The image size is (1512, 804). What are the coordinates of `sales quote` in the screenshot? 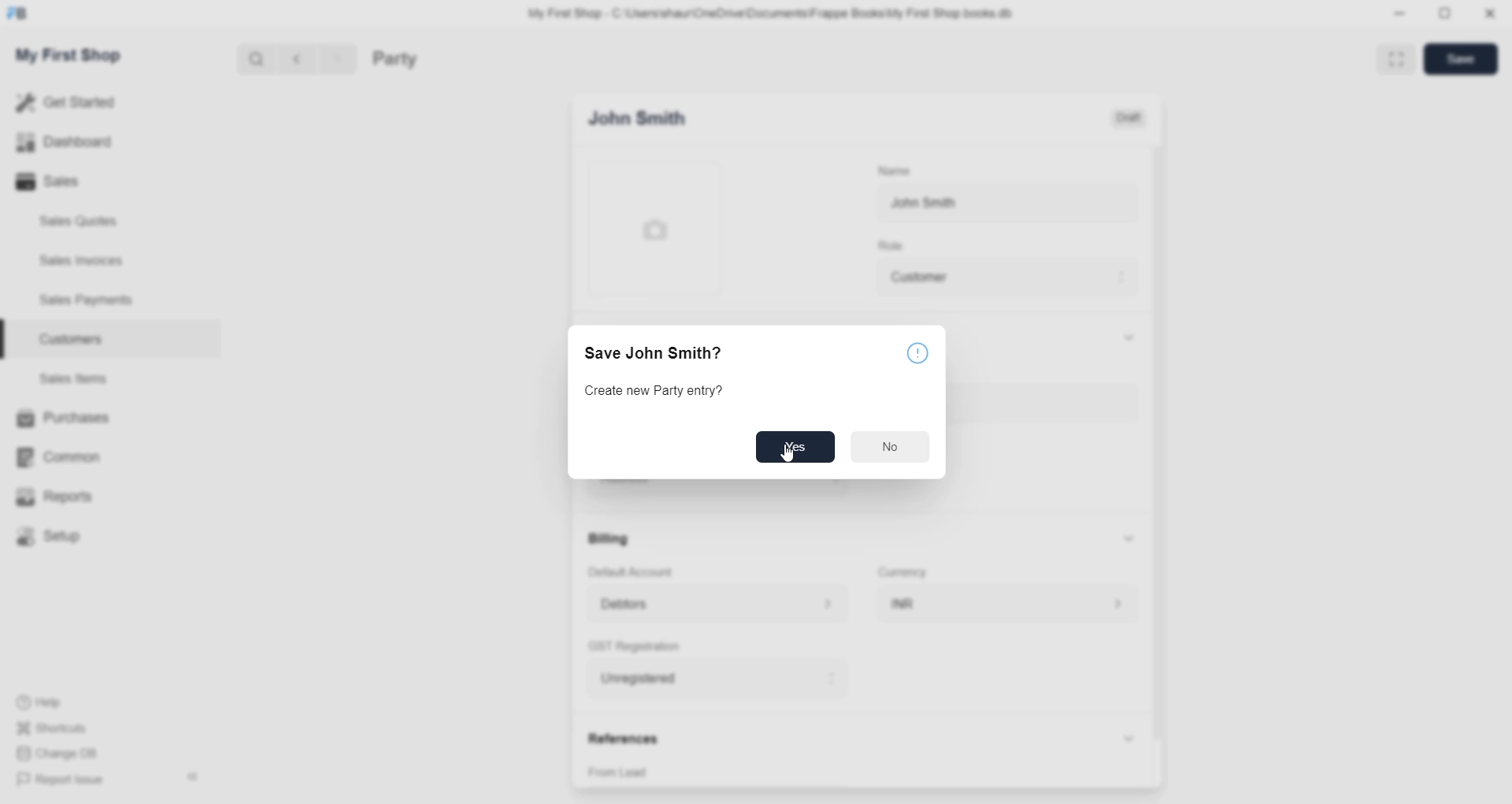 It's located at (88, 221).